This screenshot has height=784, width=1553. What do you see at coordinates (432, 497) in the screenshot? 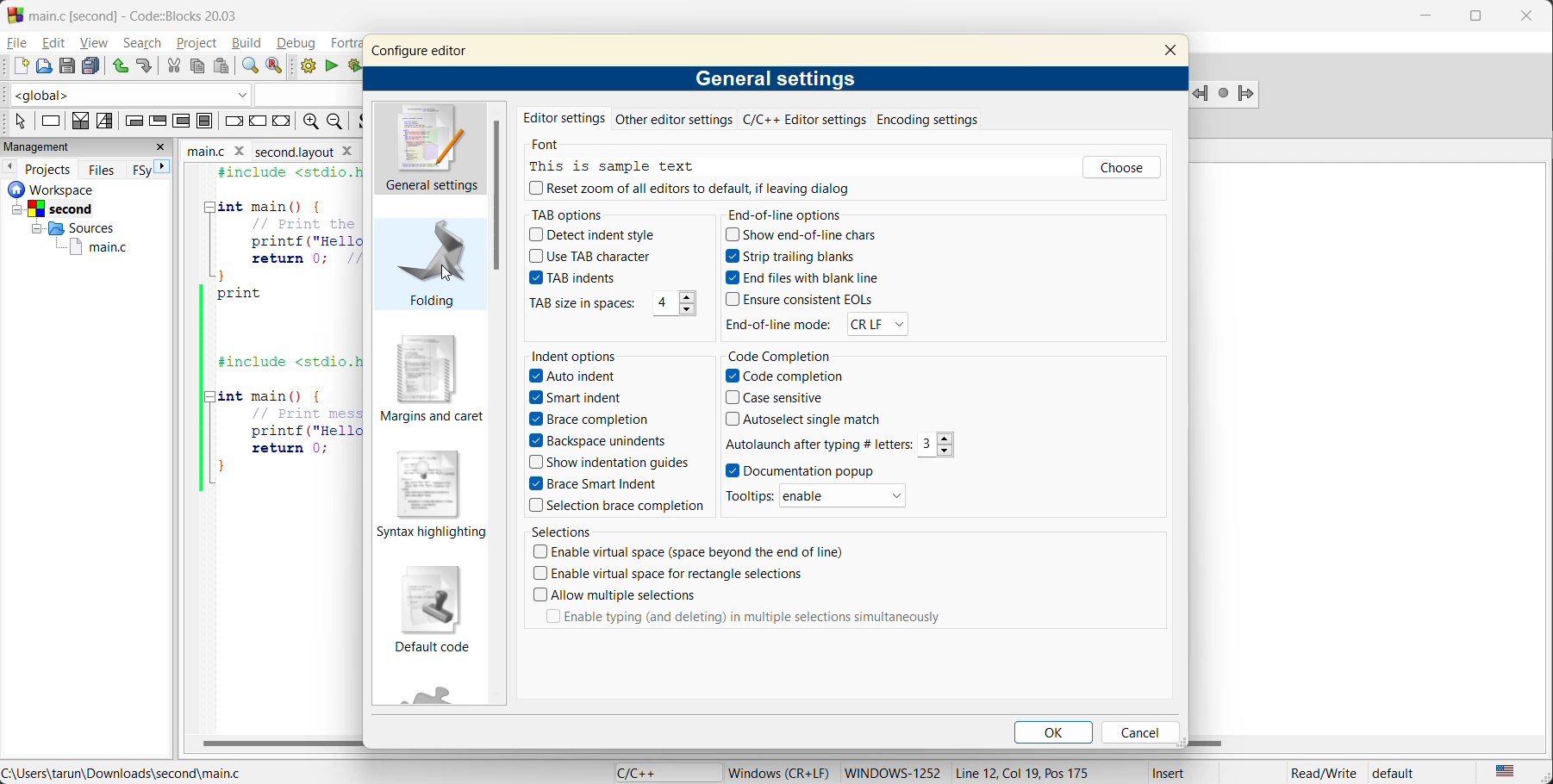
I see `syntax highlighting` at bounding box center [432, 497].